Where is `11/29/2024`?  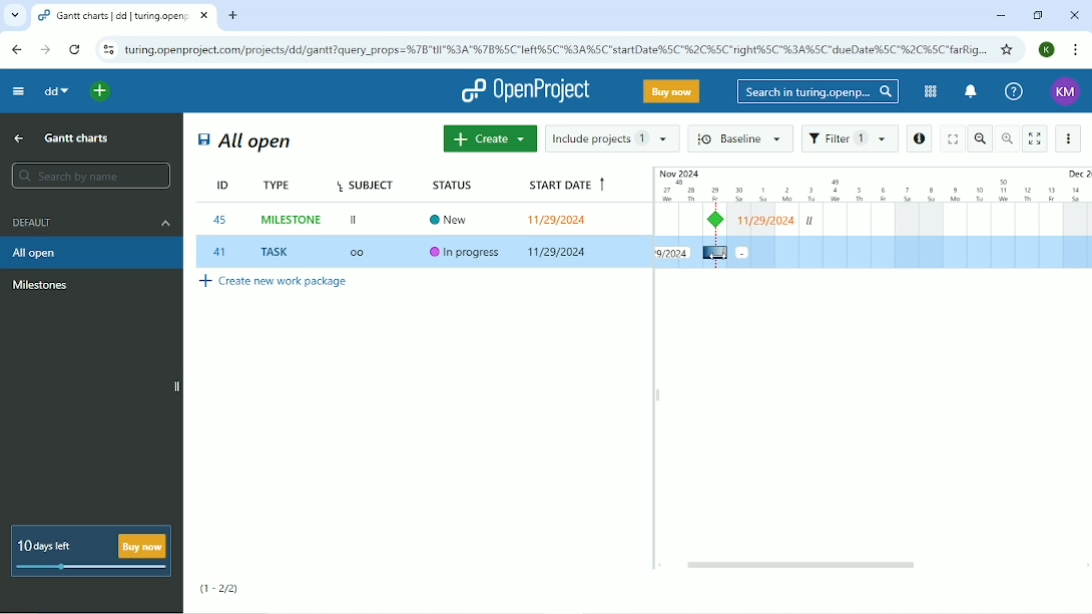
11/29/2024 is located at coordinates (559, 253).